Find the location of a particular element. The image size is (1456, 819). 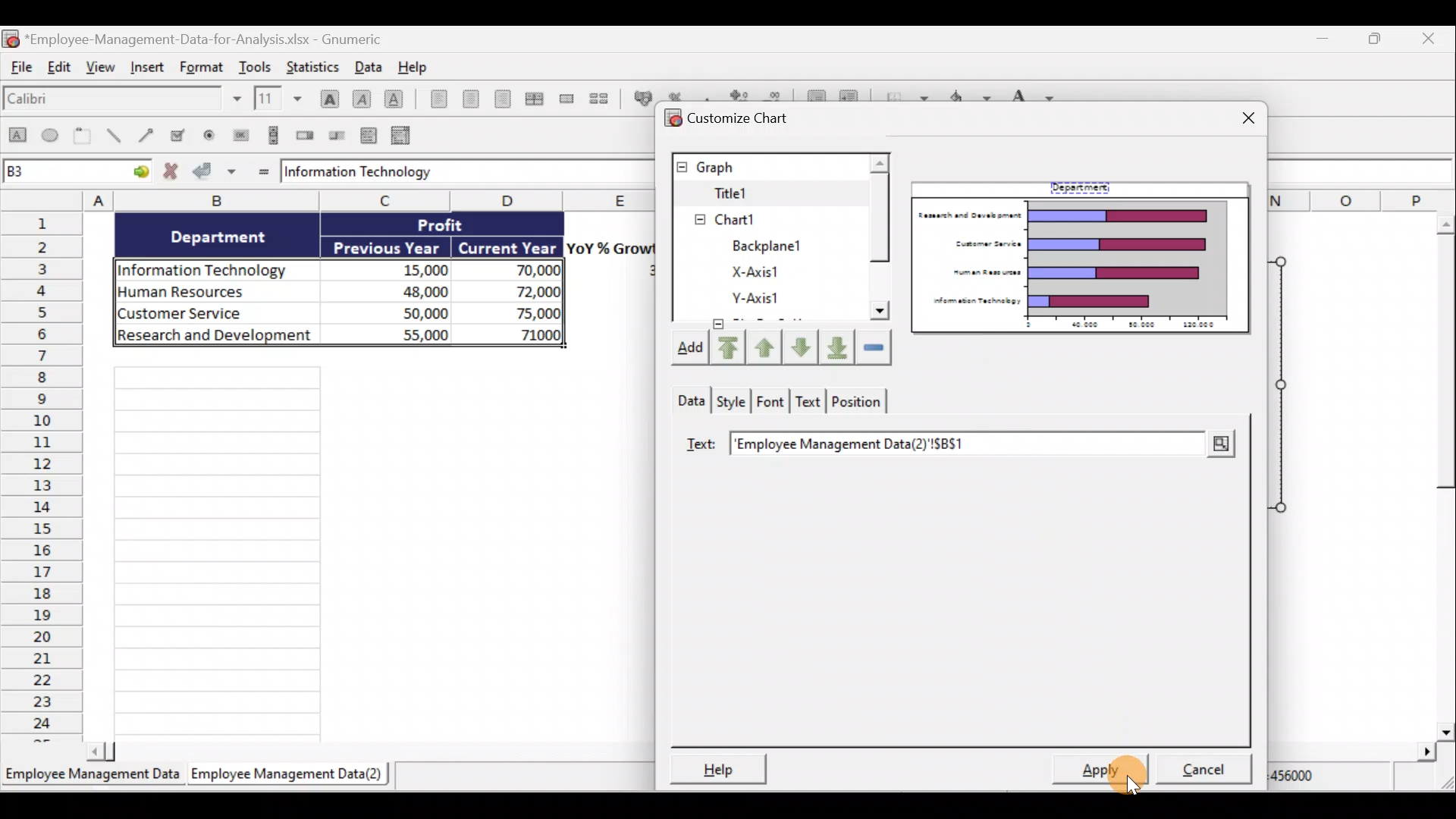

Columns is located at coordinates (372, 199).